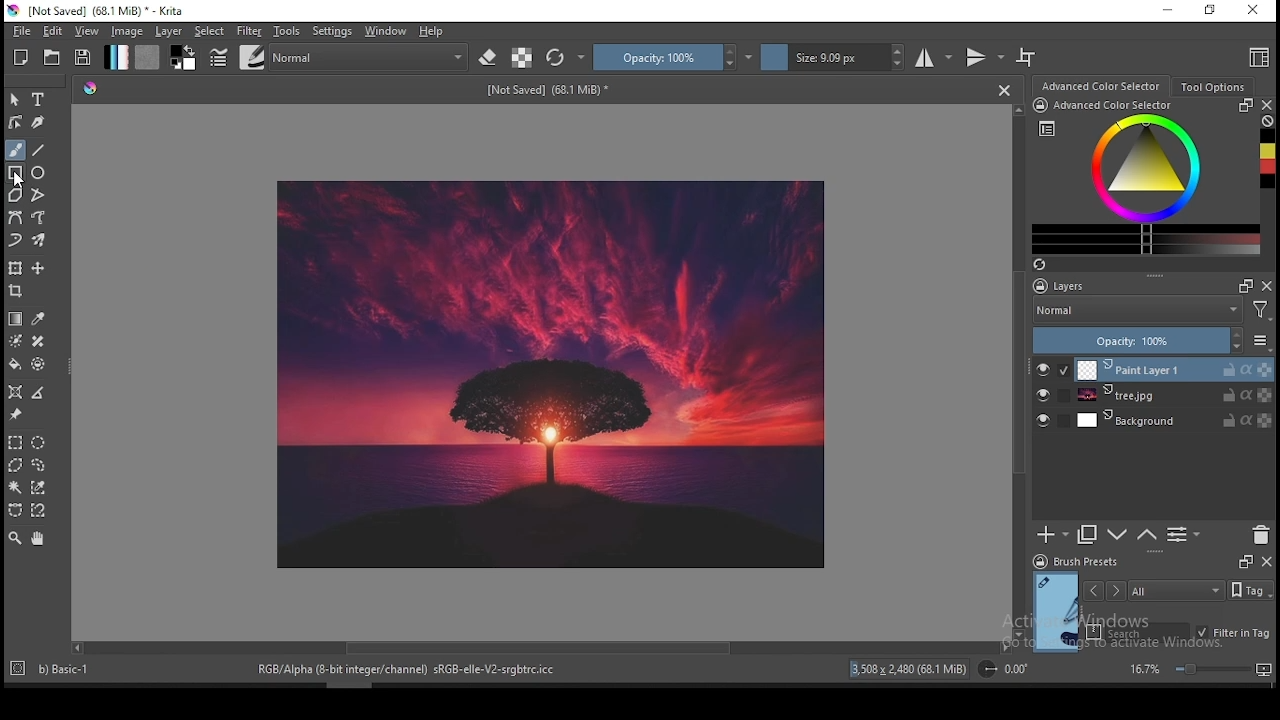 The height and width of the screenshot is (720, 1280). I want to click on elliptical selection tool, so click(39, 440).